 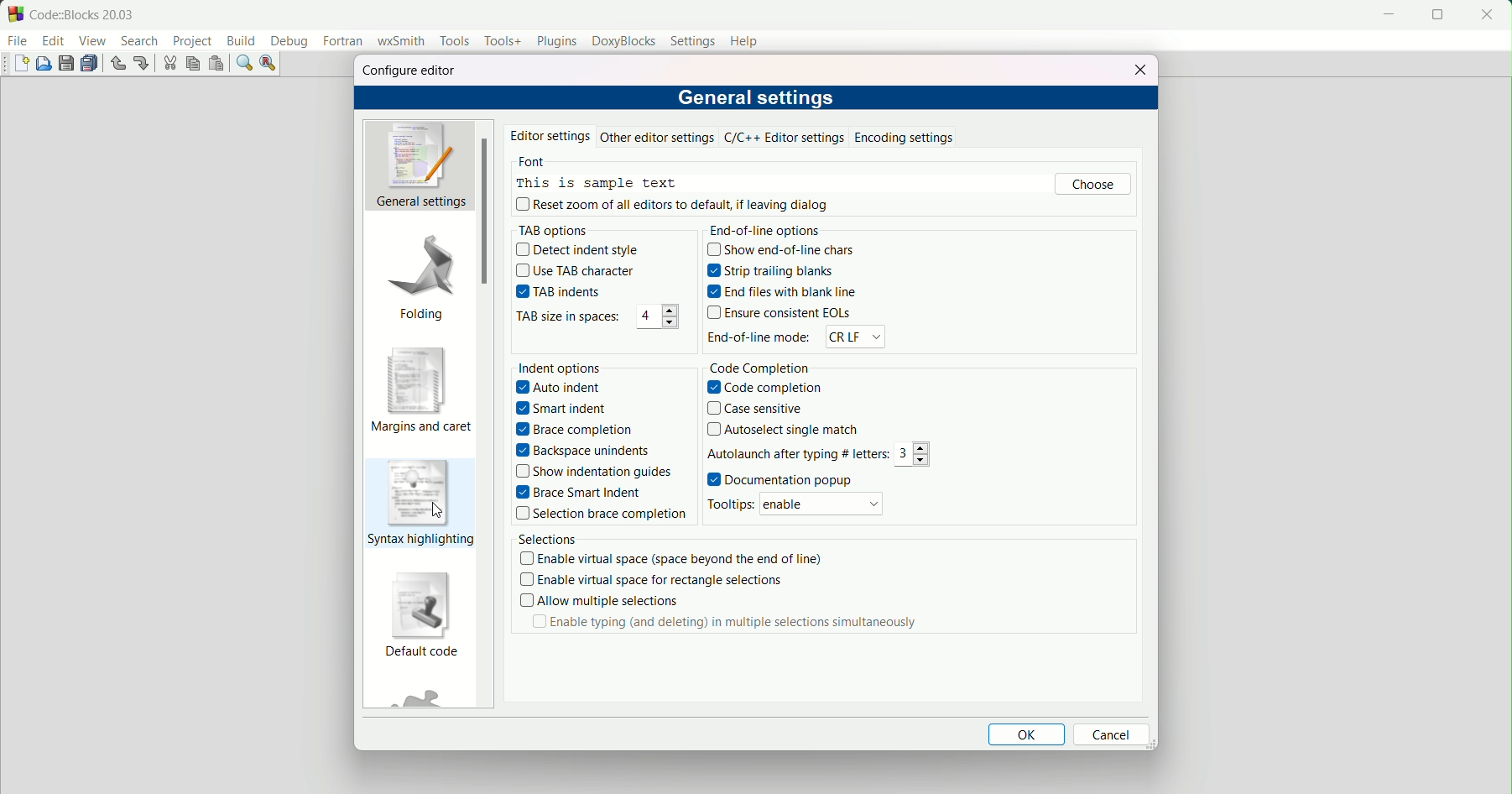 I want to click on edit, so click(x=54, y=41).